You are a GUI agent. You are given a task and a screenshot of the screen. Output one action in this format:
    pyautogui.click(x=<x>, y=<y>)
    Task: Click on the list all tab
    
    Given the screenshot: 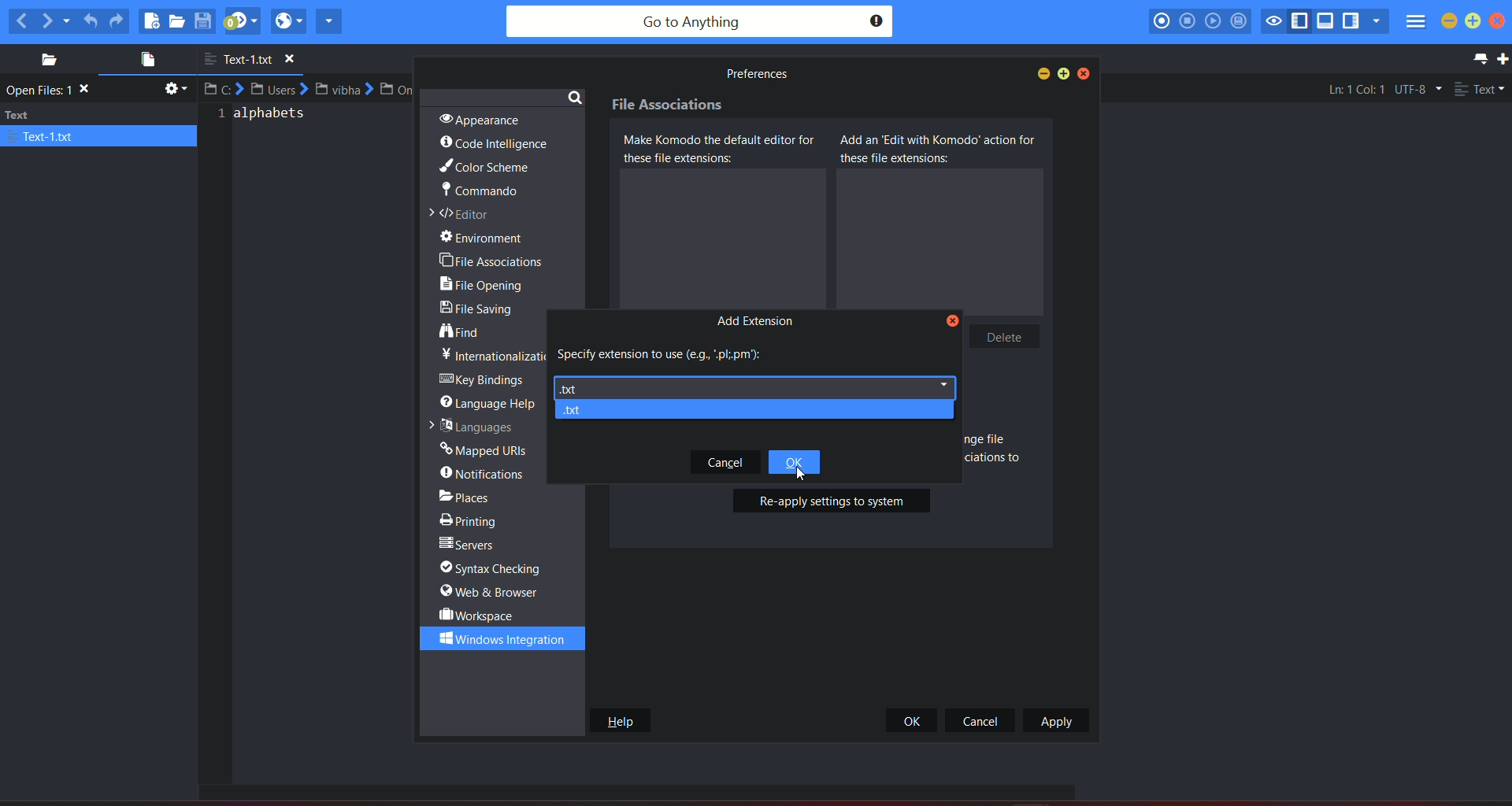 What is the action you would take?
    pyautogui.click(x=1477, y=58)
    